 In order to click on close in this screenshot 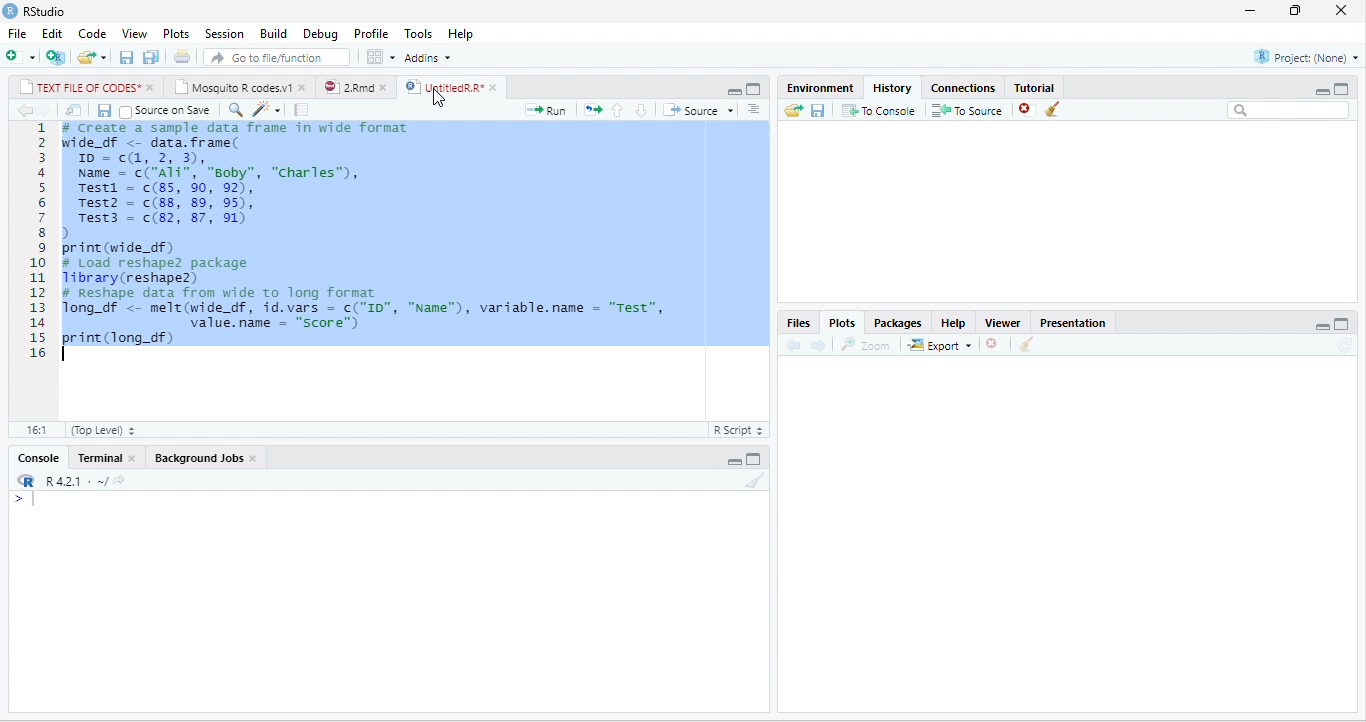, I will do `click(387, 87)`.